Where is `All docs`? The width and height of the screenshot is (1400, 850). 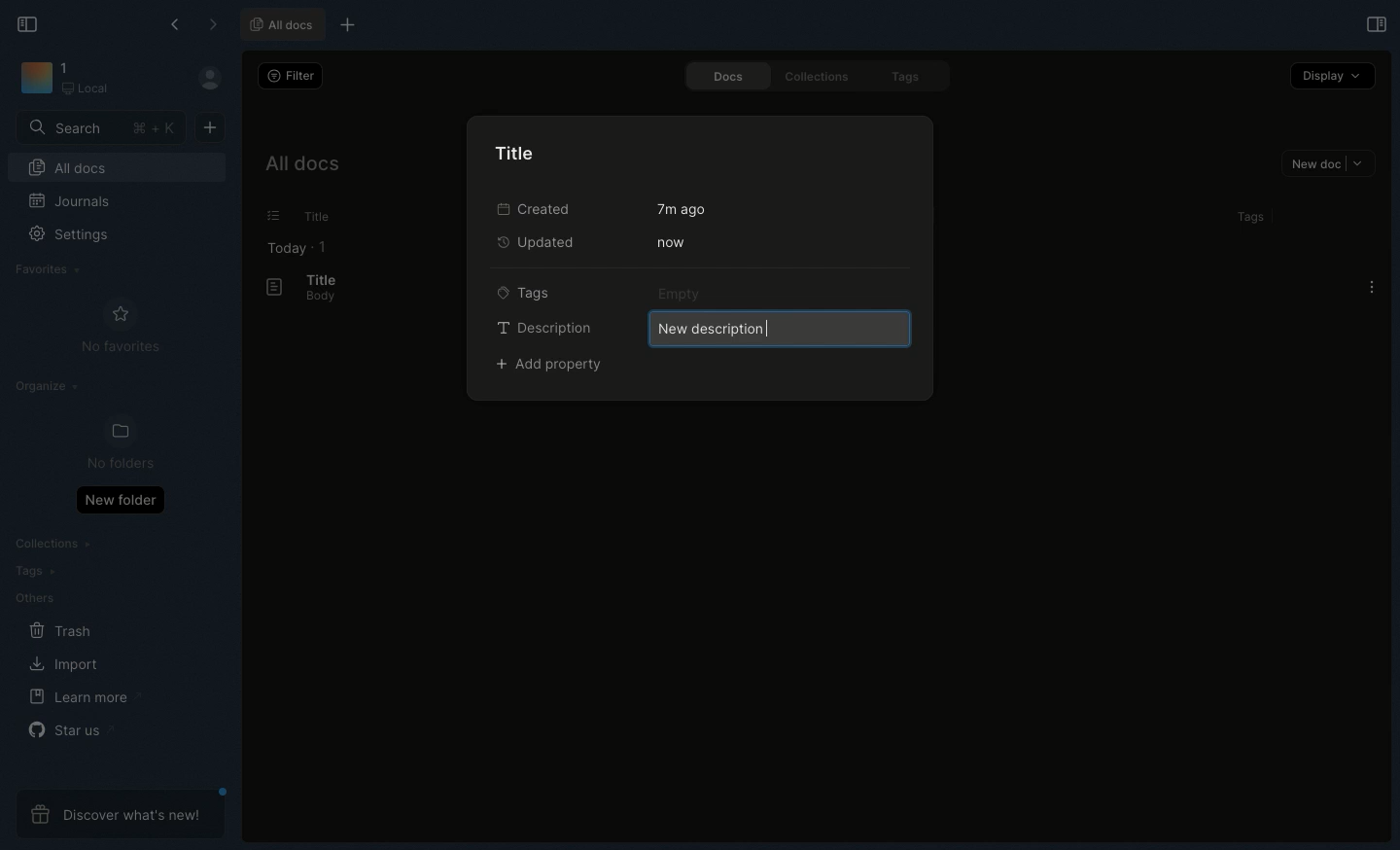
All docs is located at coordinates (117, 170).